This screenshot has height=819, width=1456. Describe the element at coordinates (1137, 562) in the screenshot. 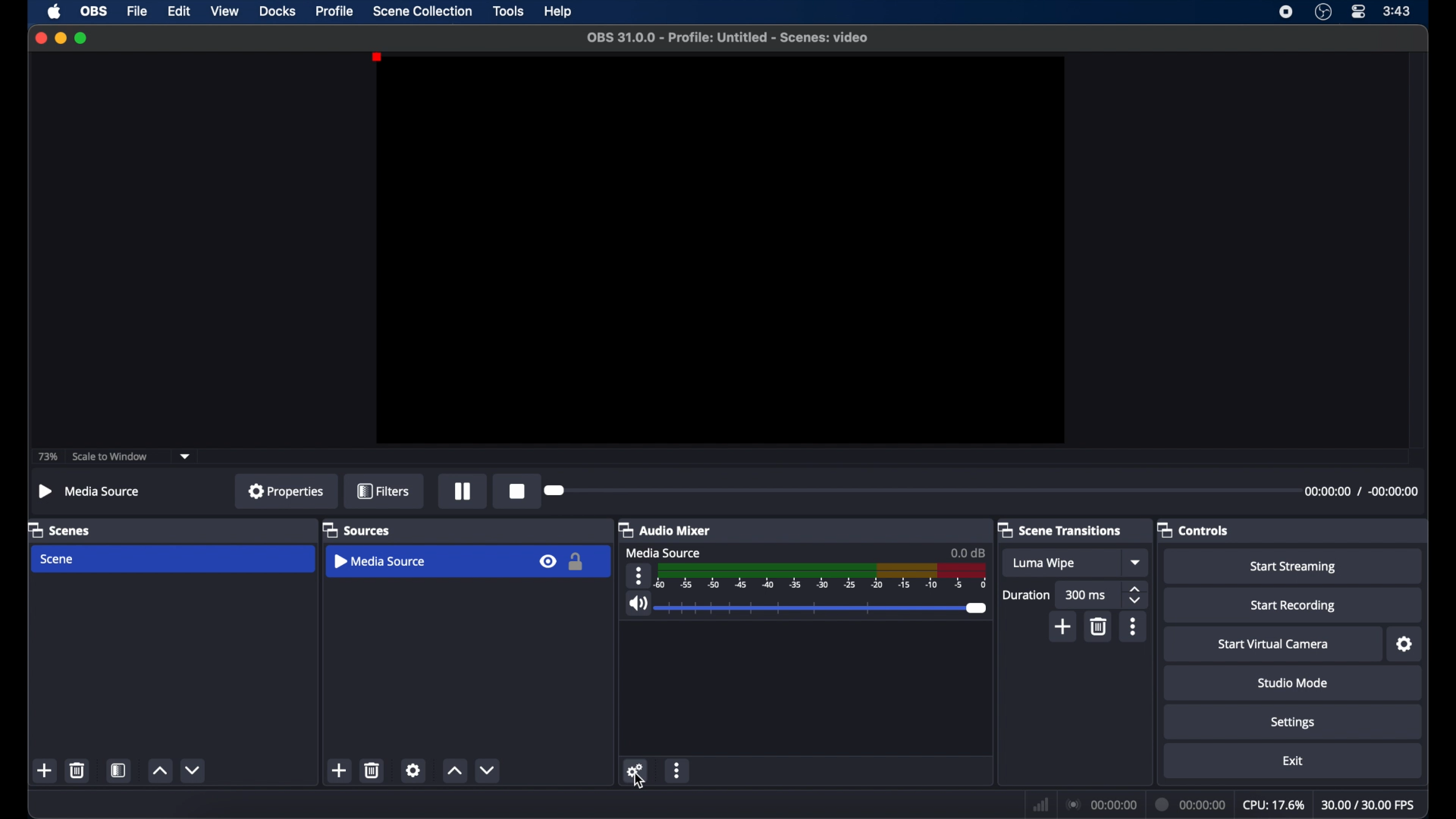

I see `dropdown` at that location.